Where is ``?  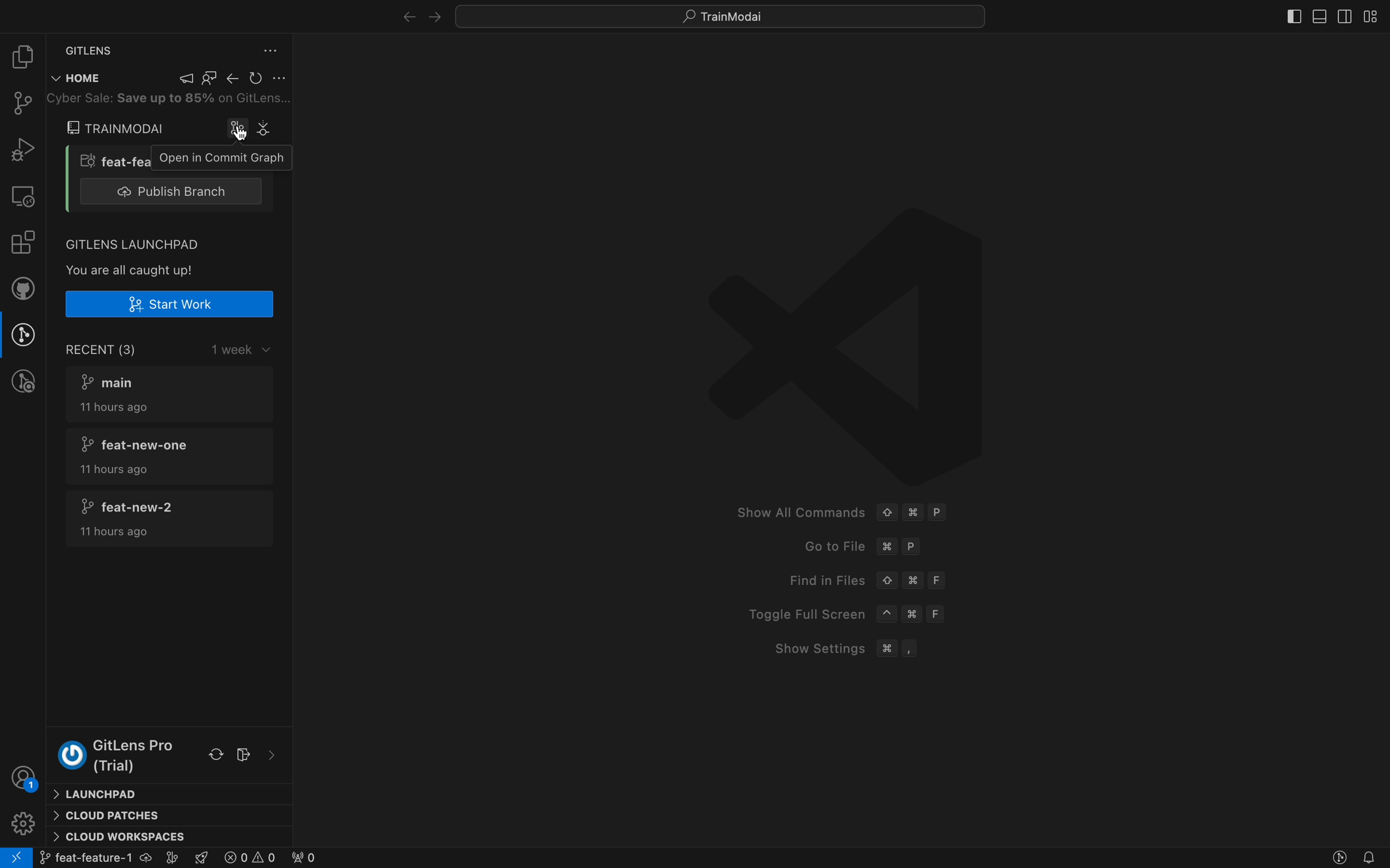
 is located at coordinates (187, 79).